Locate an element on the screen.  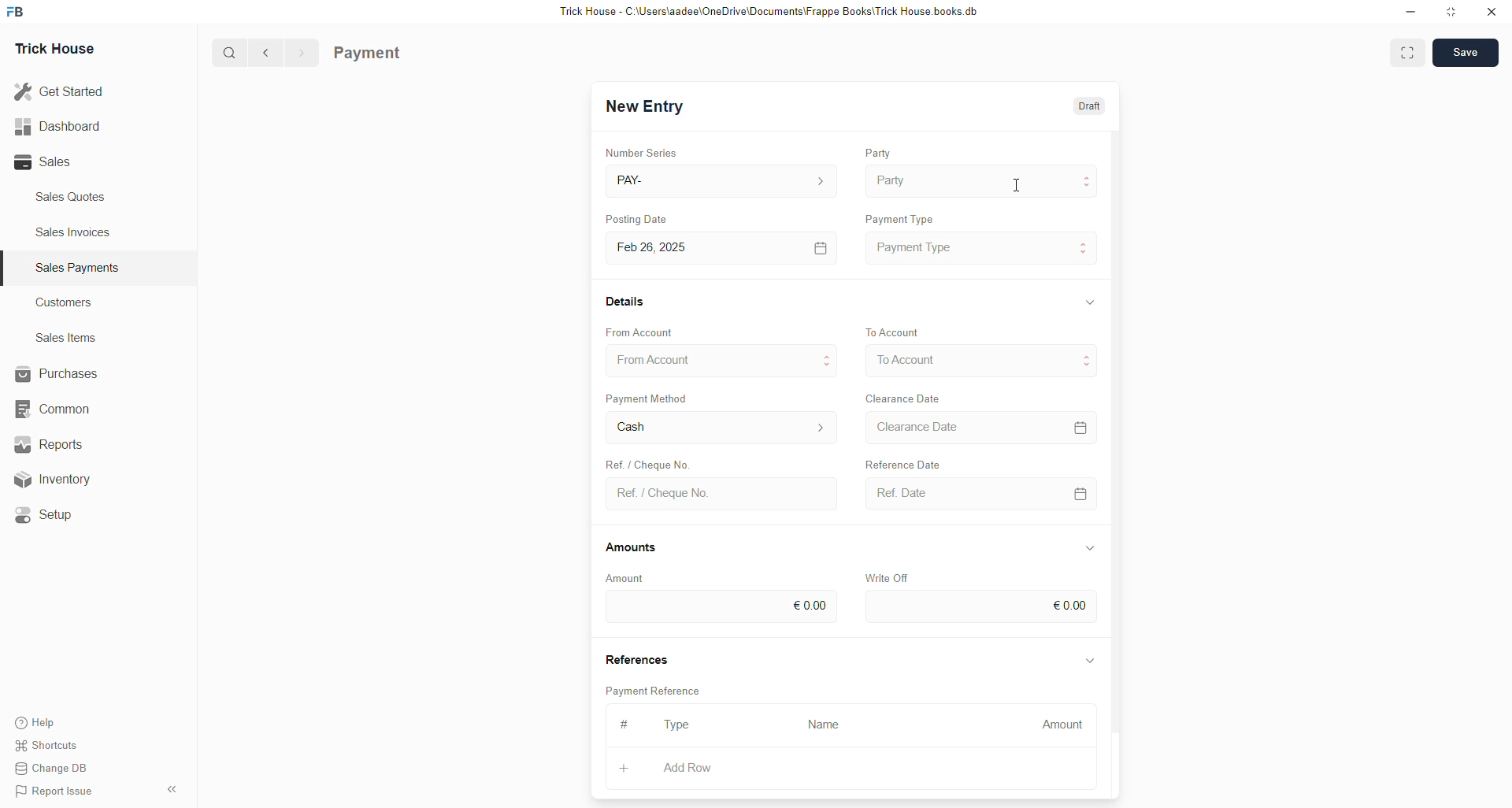
+ Add Row is located at coordinates (699, 769).